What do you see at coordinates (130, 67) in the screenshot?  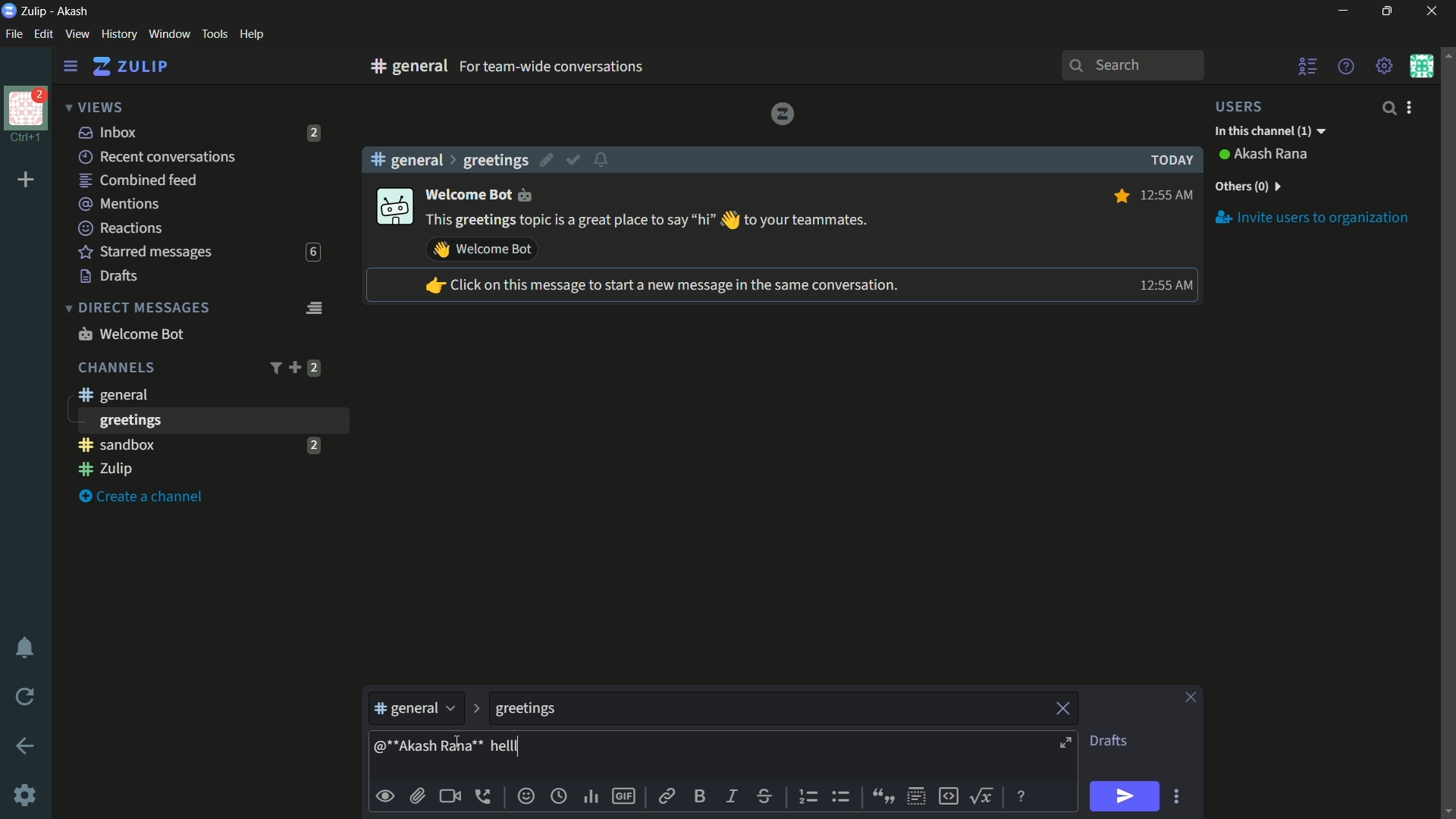 I see `zulip` at bounding box center [130, 67].